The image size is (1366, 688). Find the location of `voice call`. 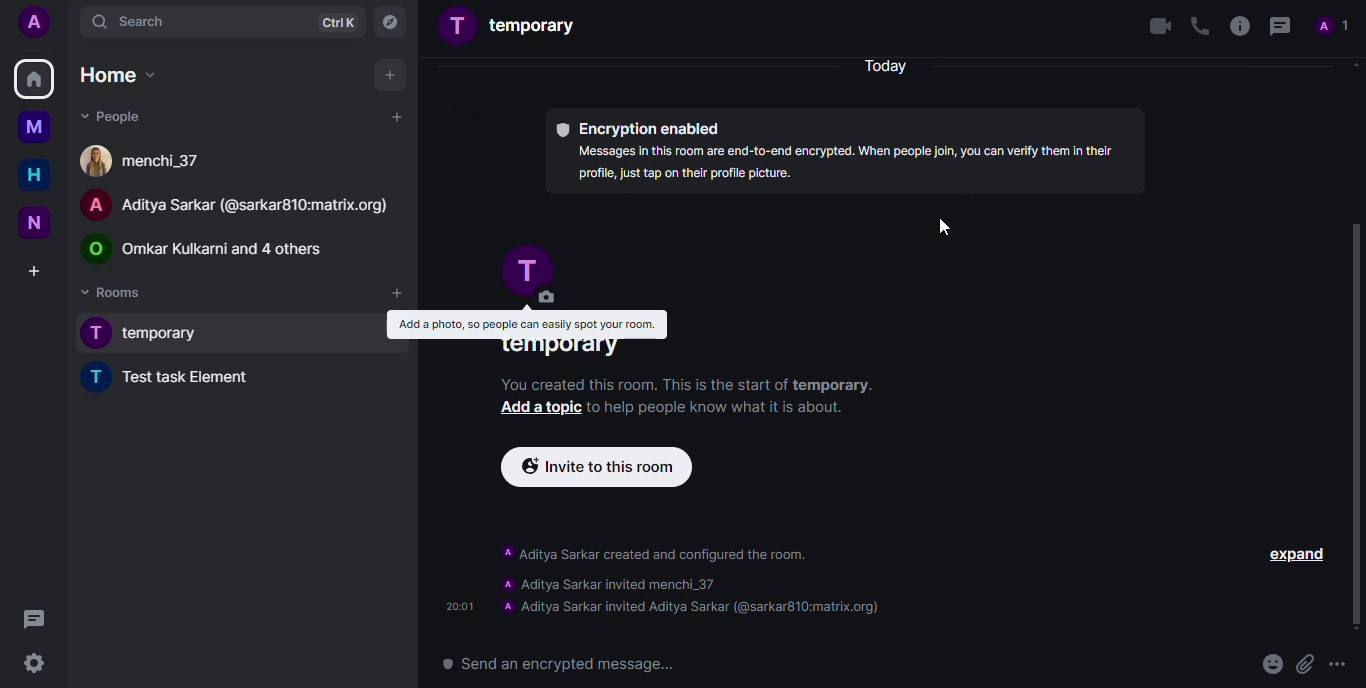

voice call is located at coordinates (1196, 25).